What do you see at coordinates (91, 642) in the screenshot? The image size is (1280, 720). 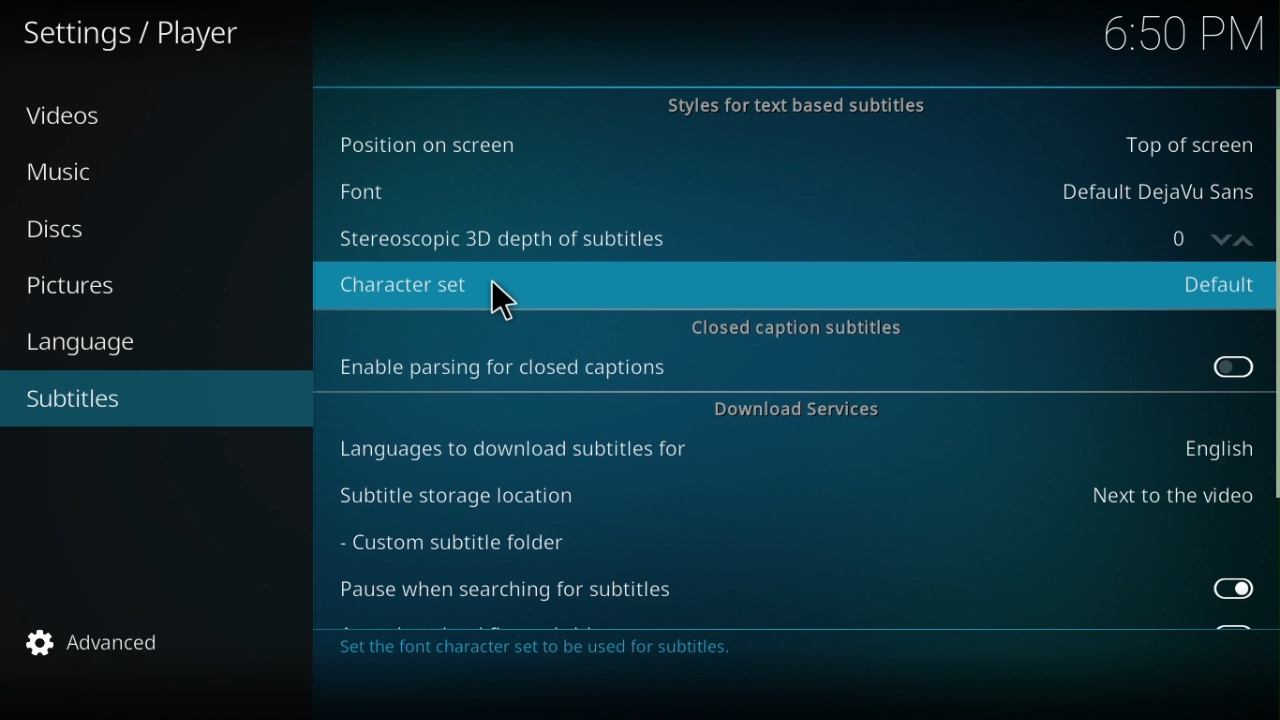 I see `Advanced` at bounding box center [91, 642].